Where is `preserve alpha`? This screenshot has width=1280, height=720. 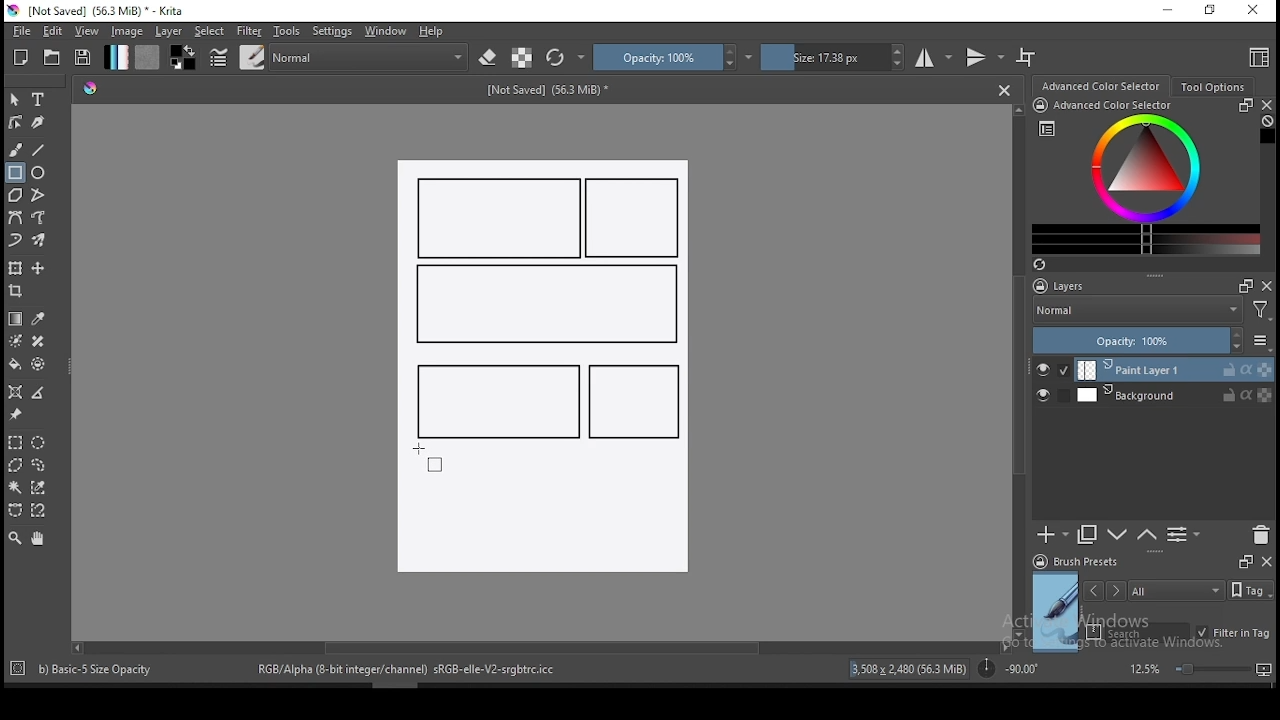
preserve alpha is located at coordinates (522, 59).